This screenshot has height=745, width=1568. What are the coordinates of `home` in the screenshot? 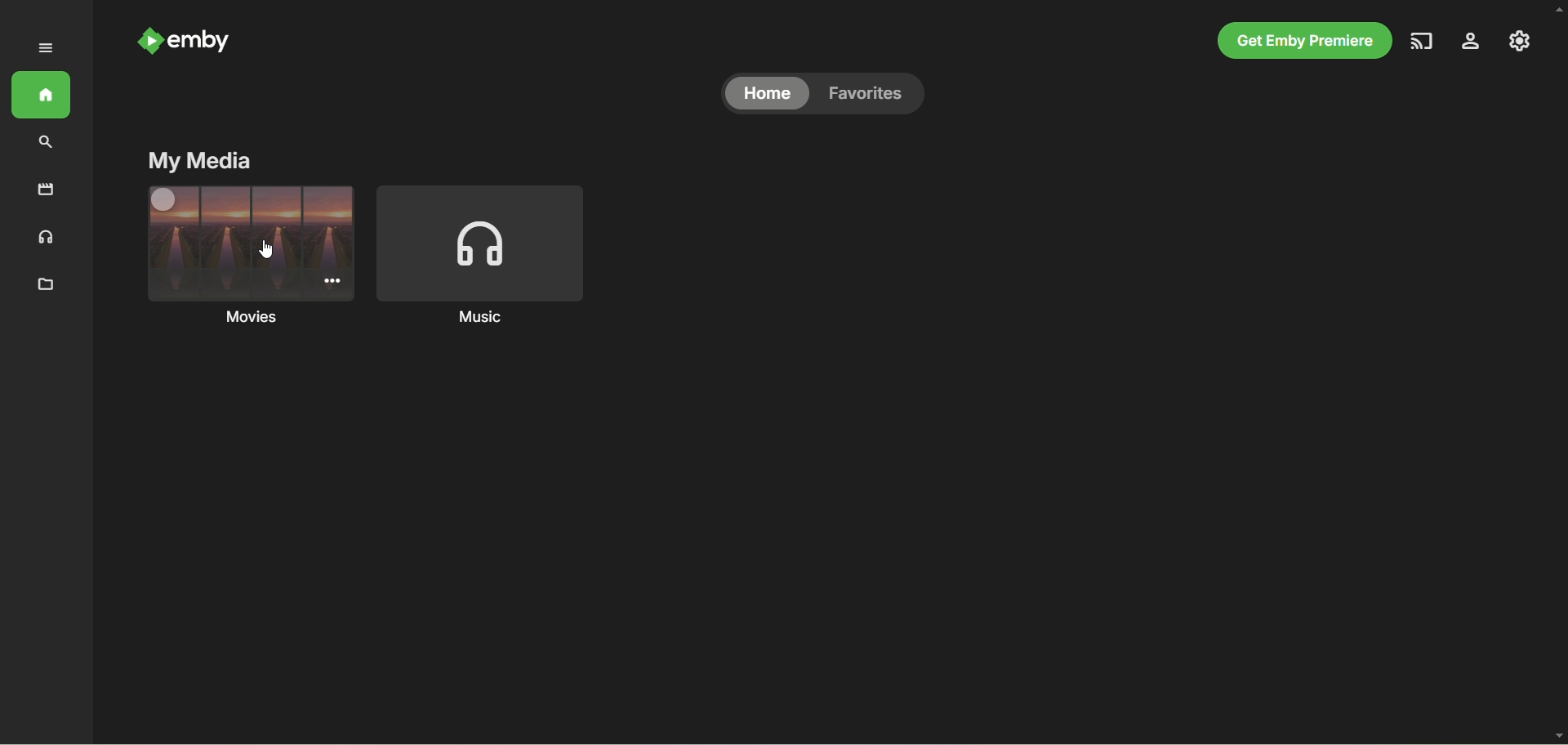 It's located at (766, 94).